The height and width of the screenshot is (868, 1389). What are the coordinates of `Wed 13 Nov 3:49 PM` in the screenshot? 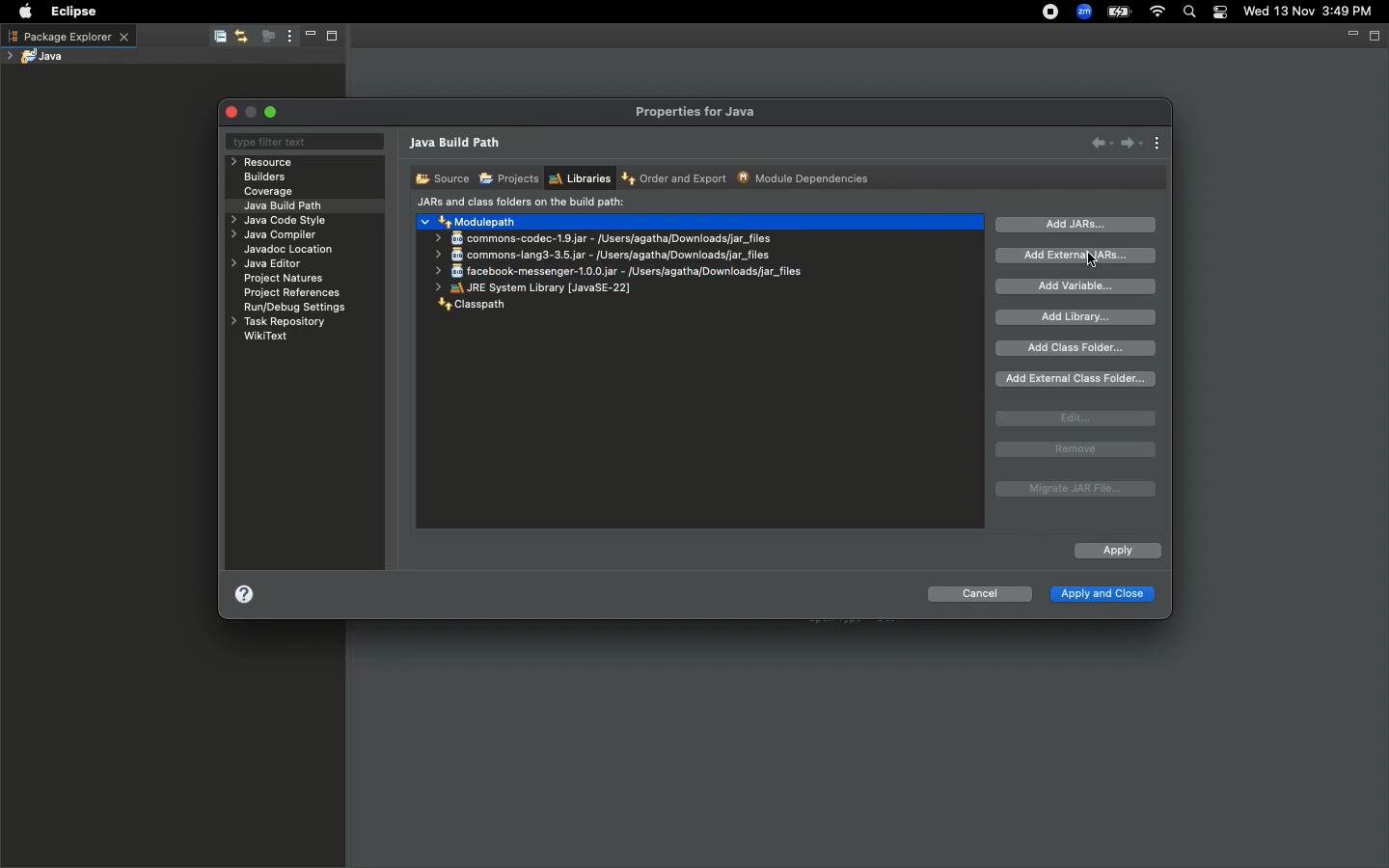 It's located at (1309, 10).